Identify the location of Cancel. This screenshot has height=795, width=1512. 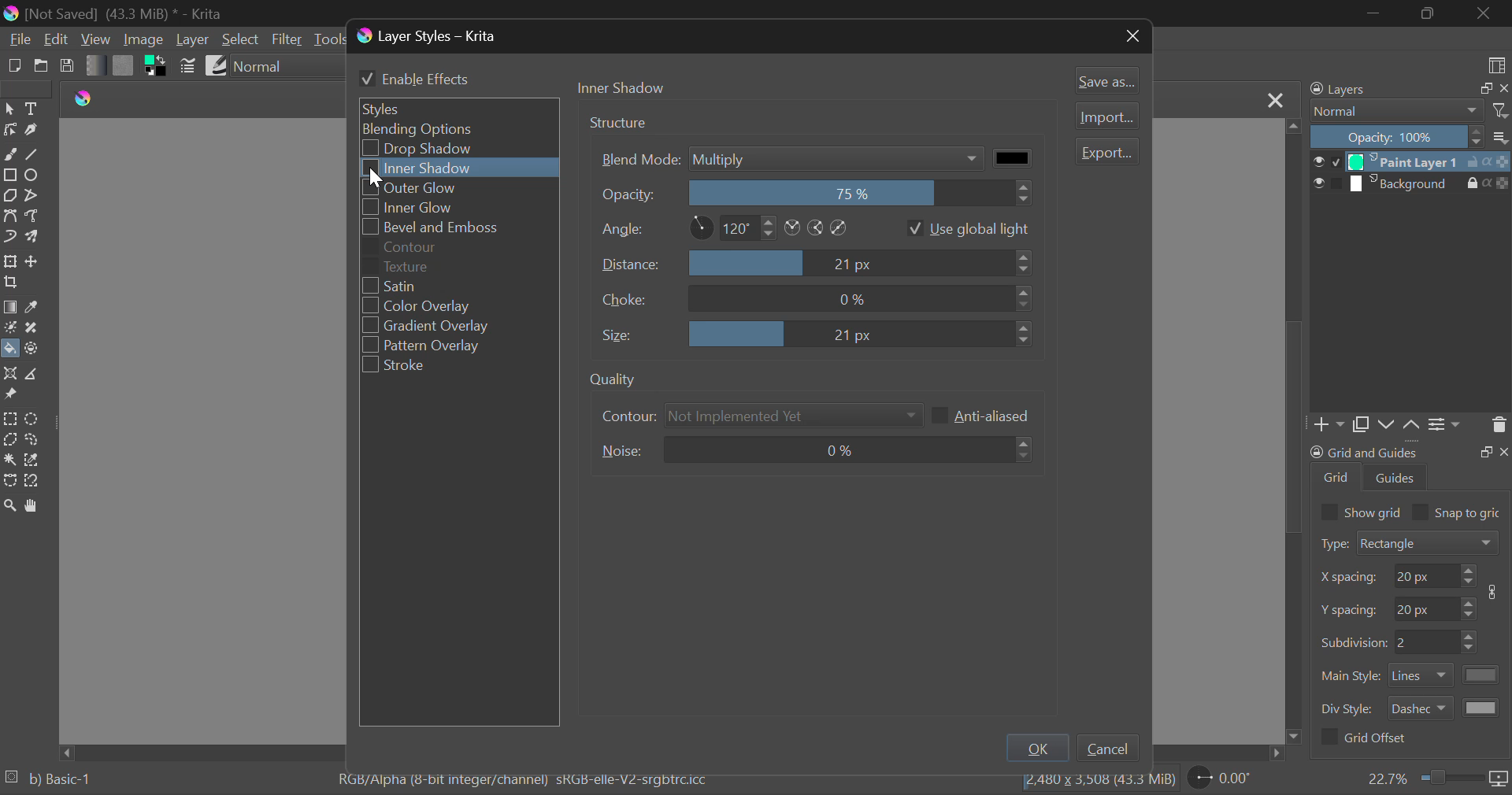
(1110, 750).